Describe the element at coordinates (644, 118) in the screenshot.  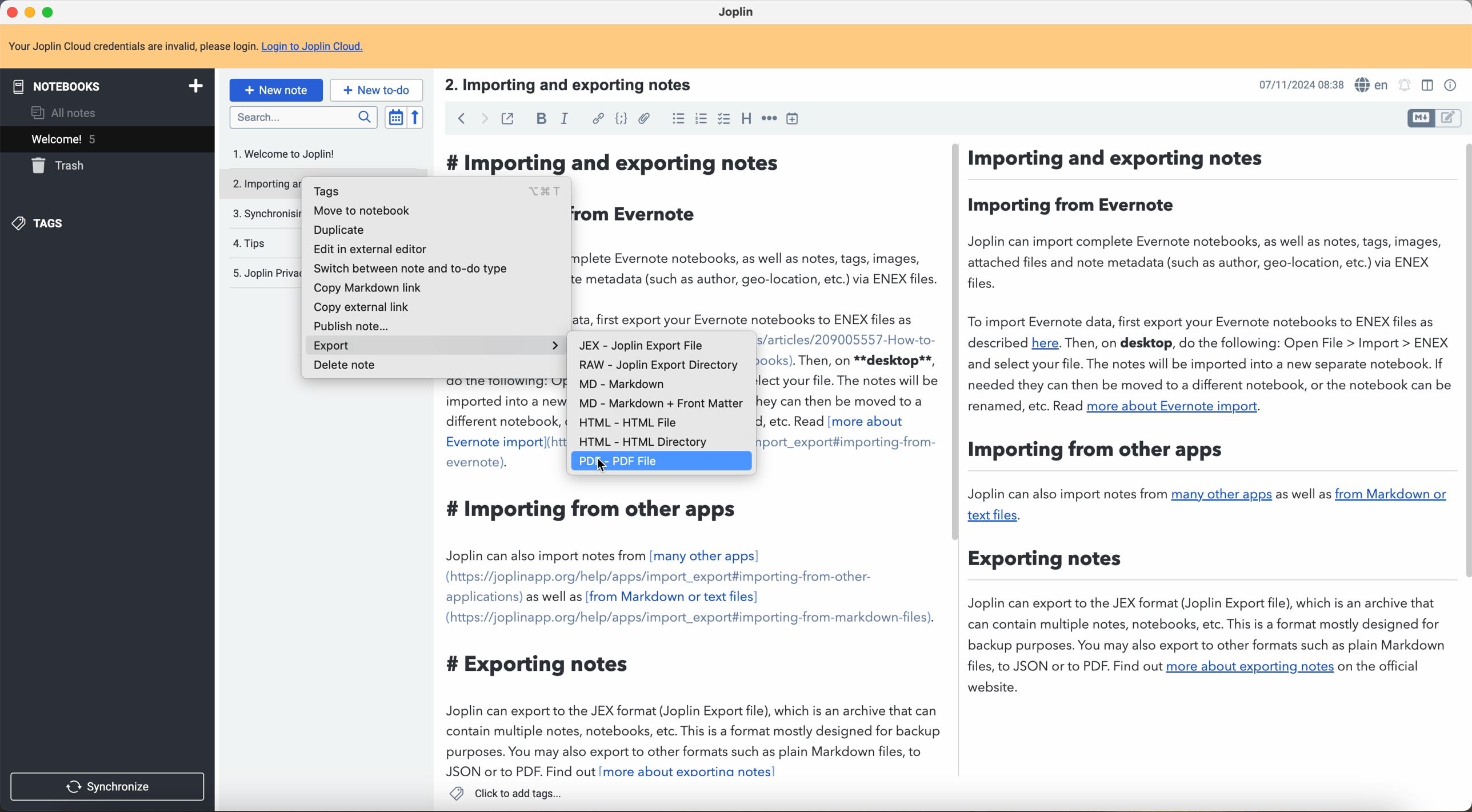
I see `attach file` at that location.